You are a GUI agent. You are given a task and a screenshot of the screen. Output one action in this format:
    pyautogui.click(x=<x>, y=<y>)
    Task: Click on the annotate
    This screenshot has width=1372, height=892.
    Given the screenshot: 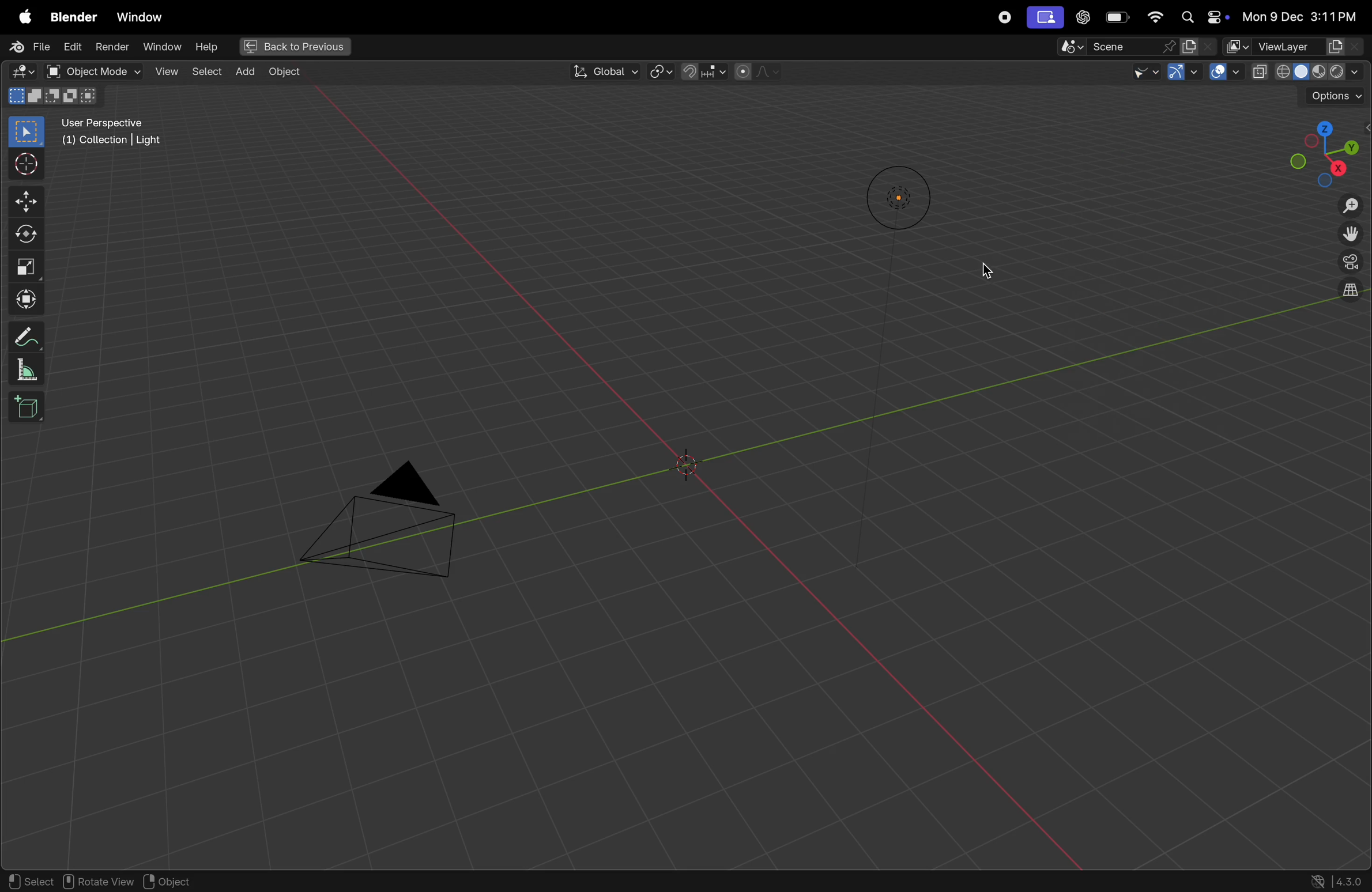 What is the action you would take?
    pyautogui.click(x=27, y=337)
    